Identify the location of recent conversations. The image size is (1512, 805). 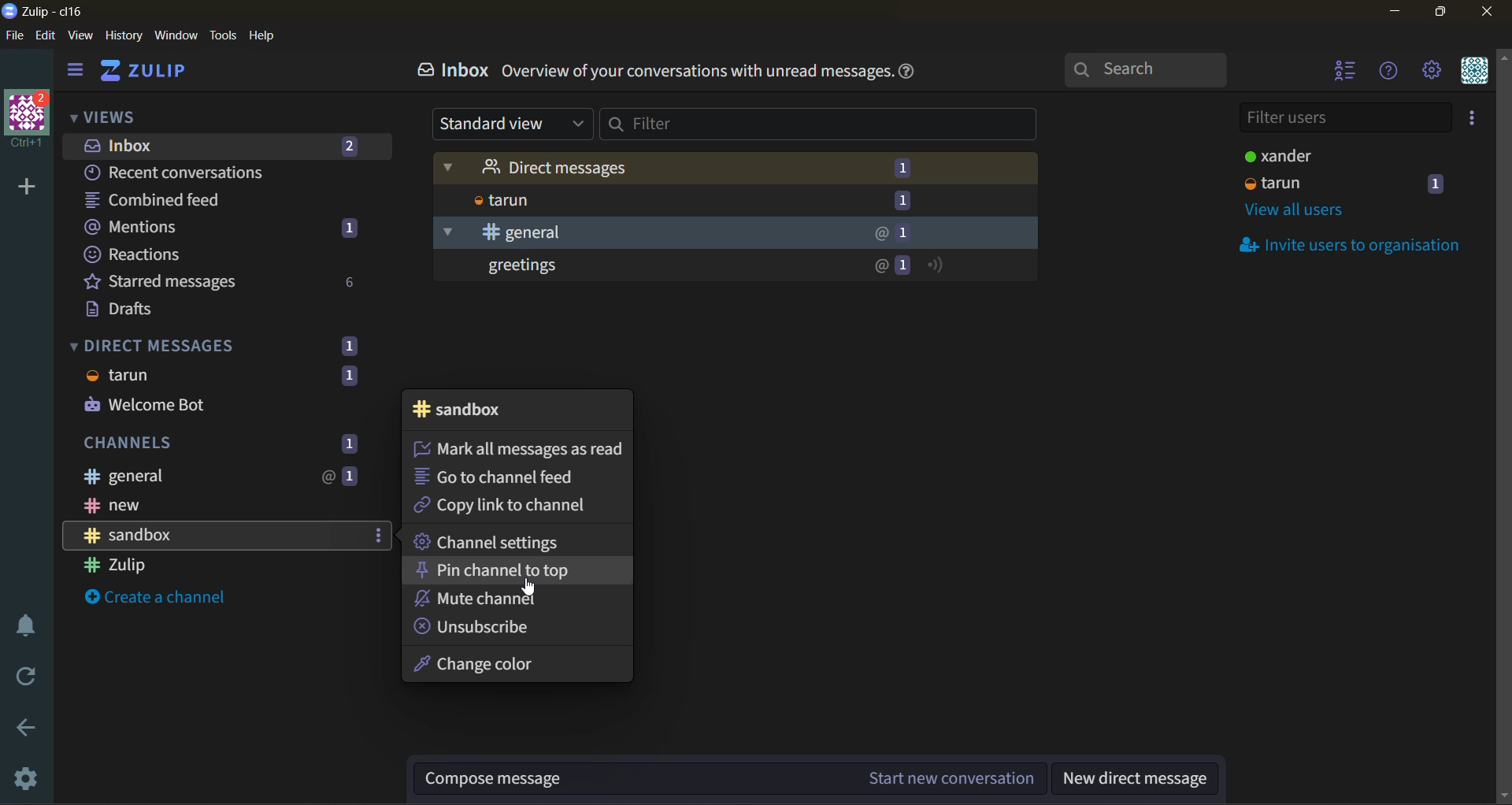
(191, 172).